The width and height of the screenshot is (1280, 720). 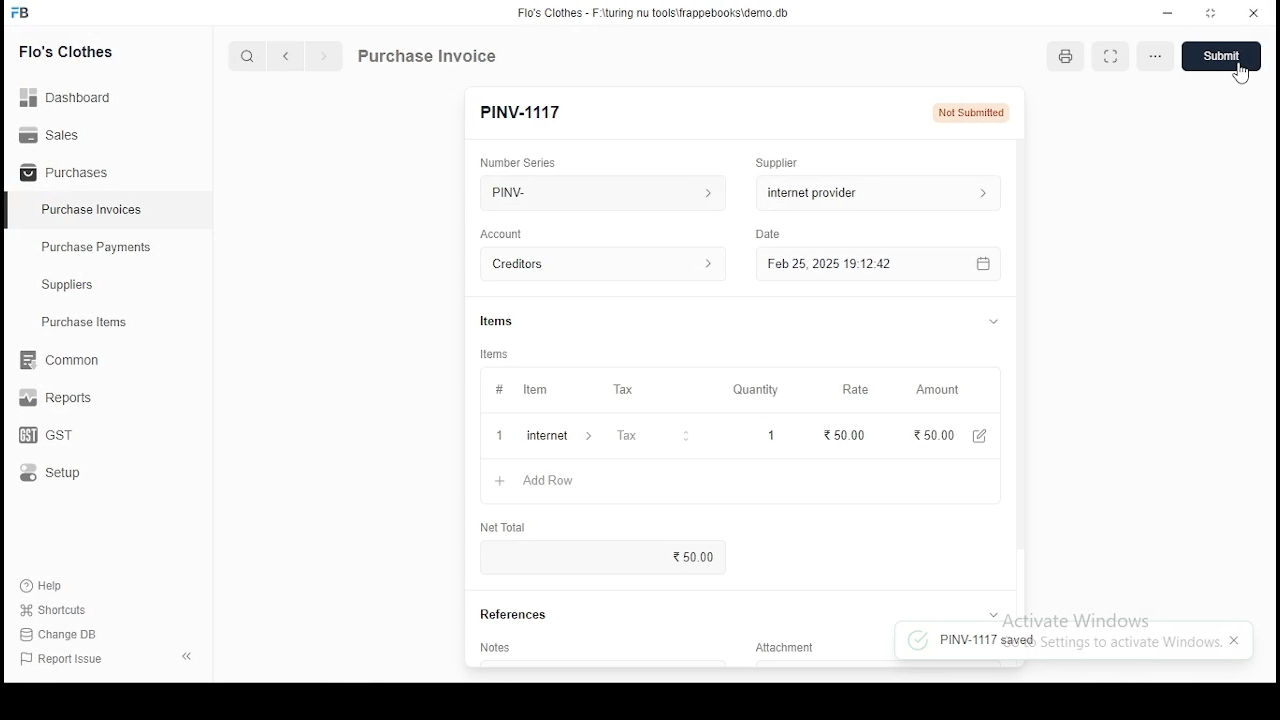 I want to click on print, so click(x=1068, y=56).